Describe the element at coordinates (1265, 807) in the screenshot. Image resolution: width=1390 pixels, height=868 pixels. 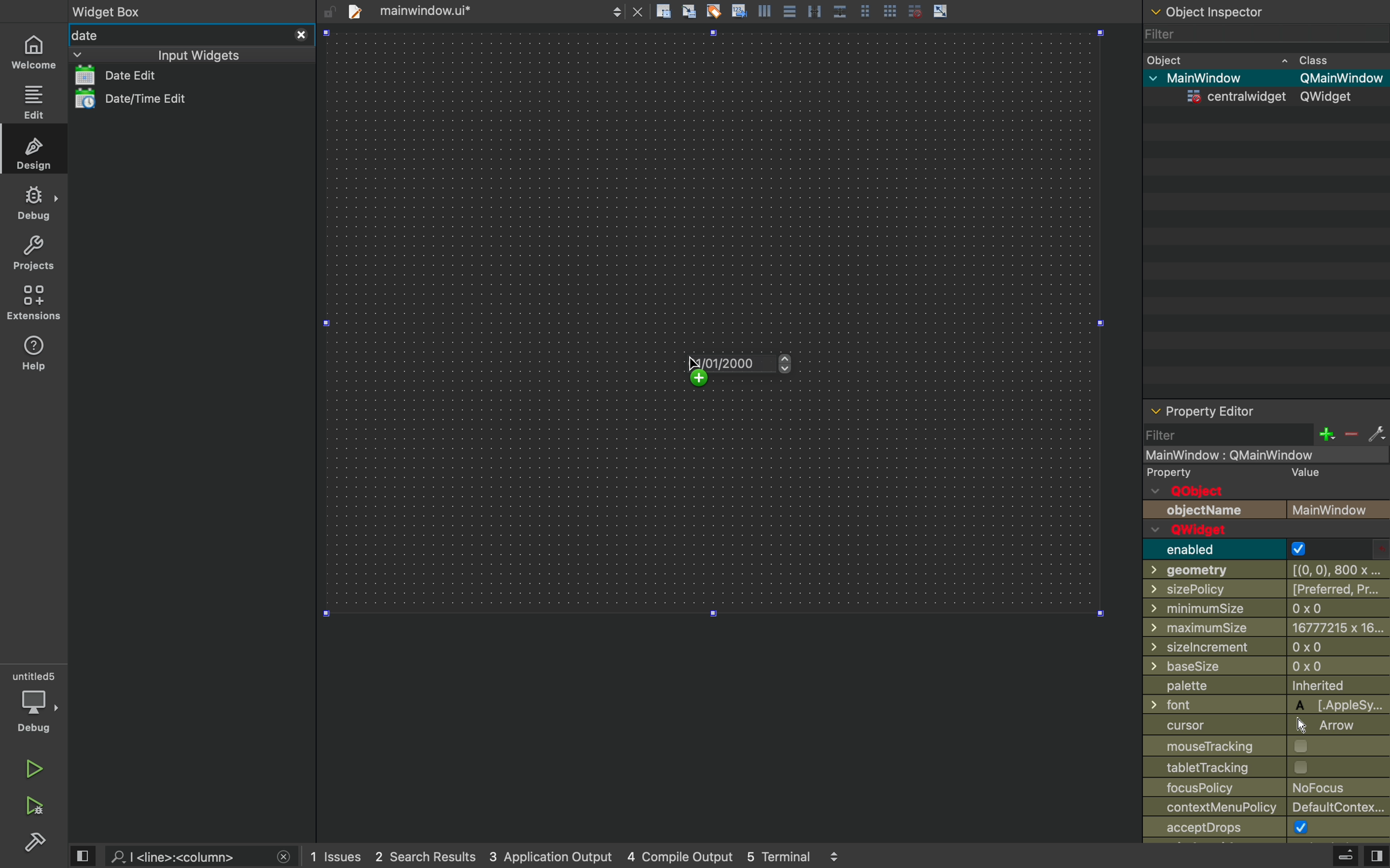
I see `contextmenupolicy` at that location.